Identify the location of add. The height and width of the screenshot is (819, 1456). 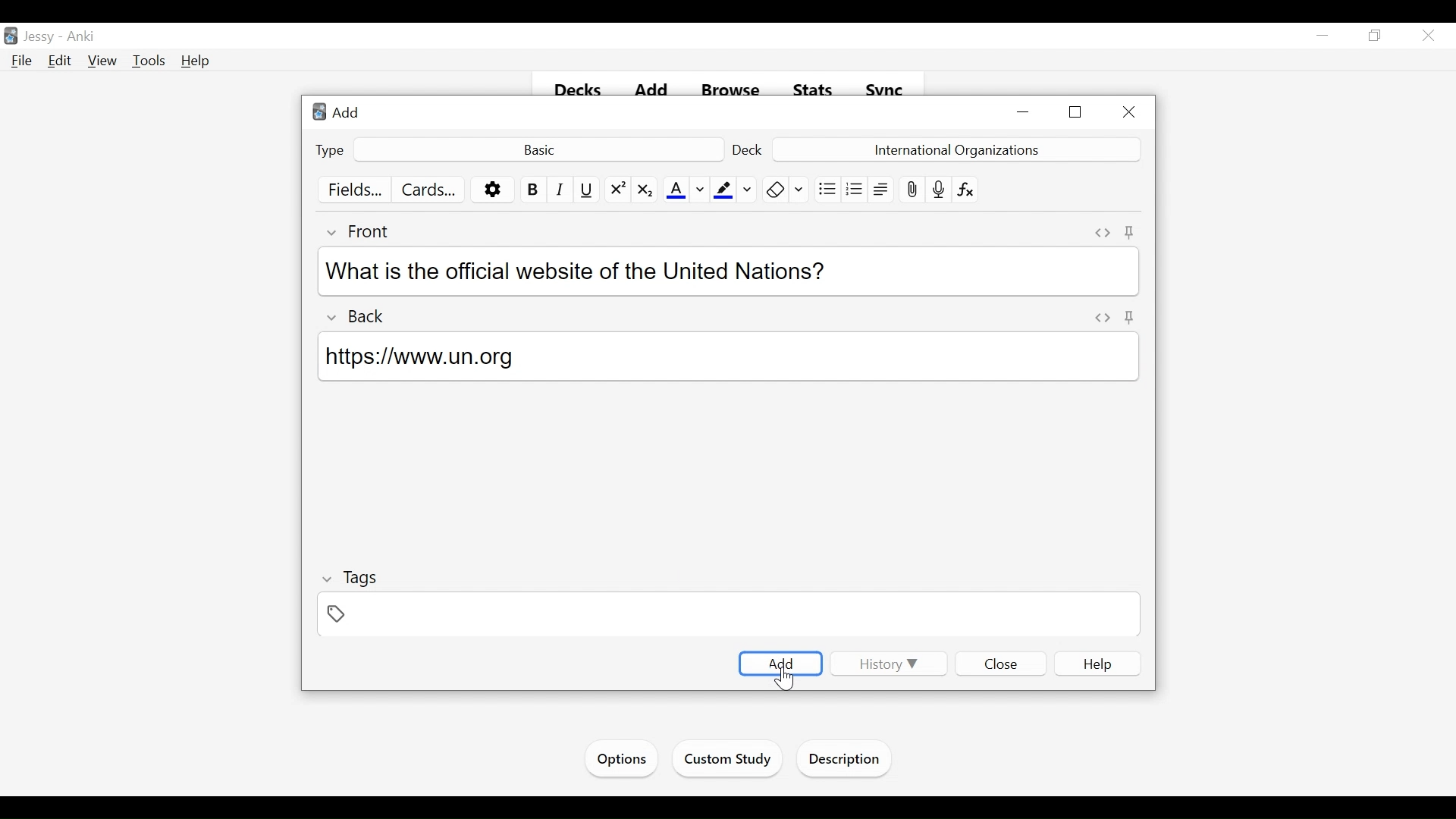
(645, 83).